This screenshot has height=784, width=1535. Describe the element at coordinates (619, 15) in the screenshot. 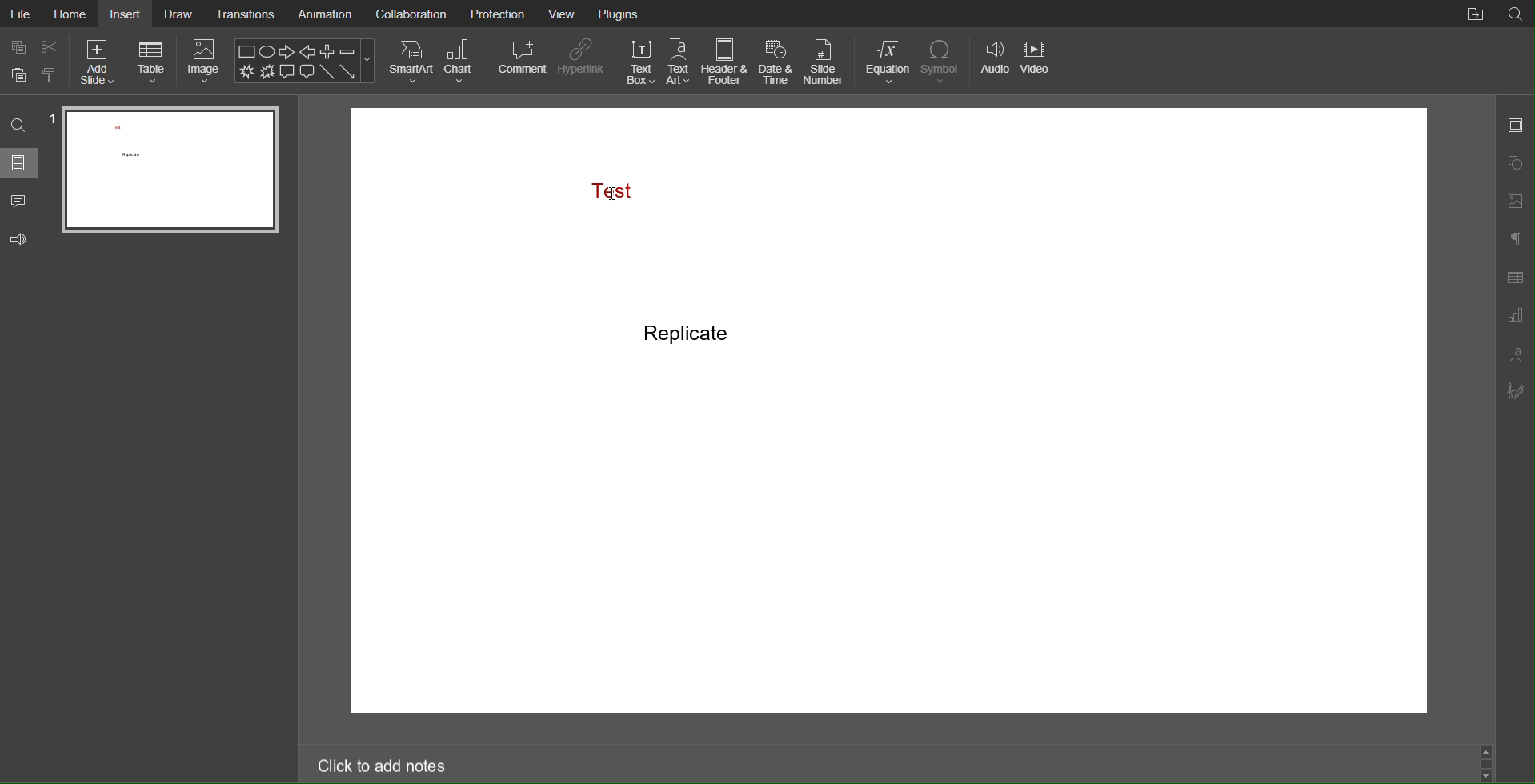

I see `Plugins` at that location.